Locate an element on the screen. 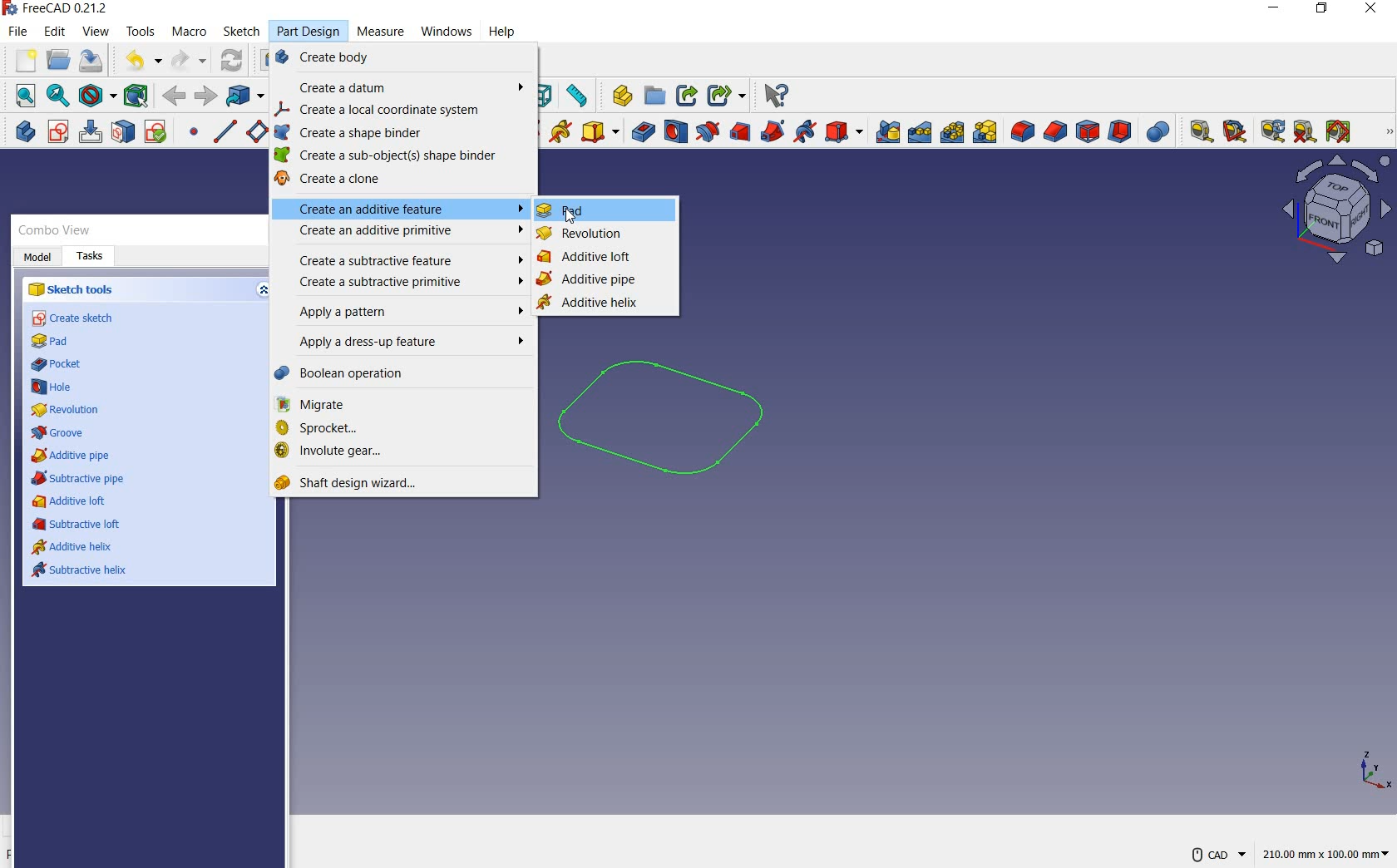  map sketch to face is located at coordinates (123, 133).